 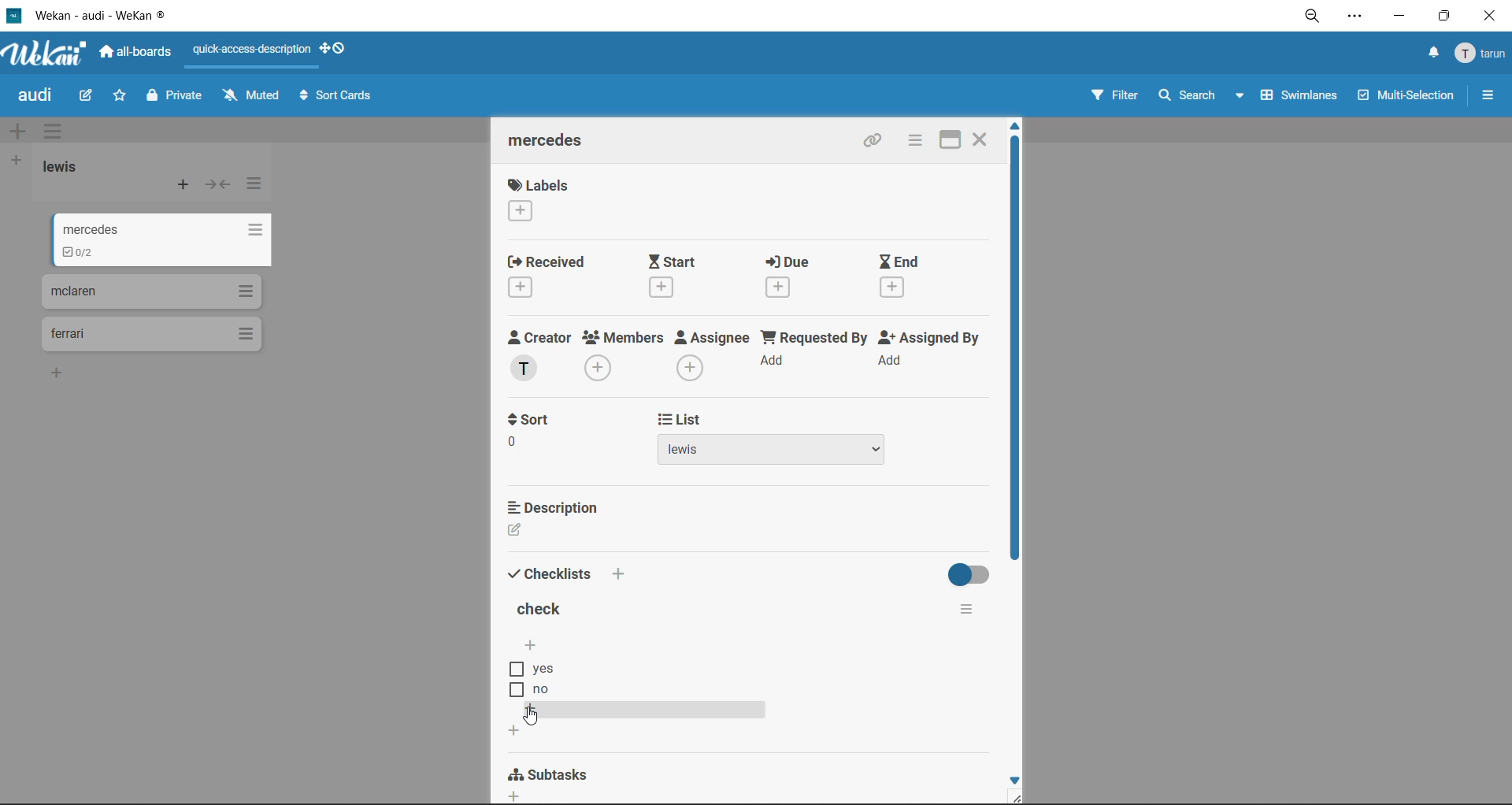 What do you see at coordinates (60, 372) in the screenshot?
I see `Add card to bottom of the list` at bounding box center [60, 372].